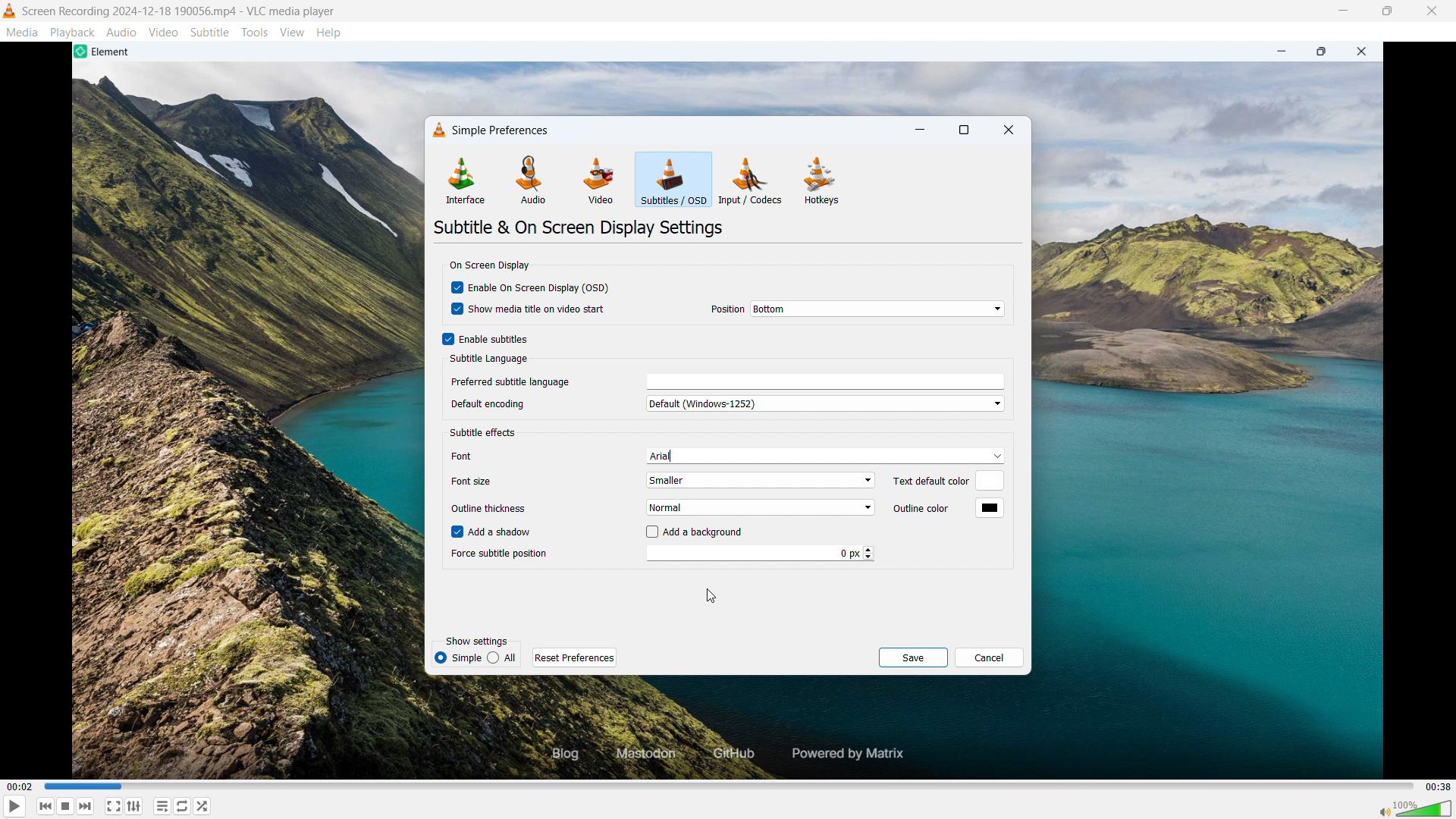 The image size is (1456, 819). I want to click on preferred subtitle language, so click(825, 383).